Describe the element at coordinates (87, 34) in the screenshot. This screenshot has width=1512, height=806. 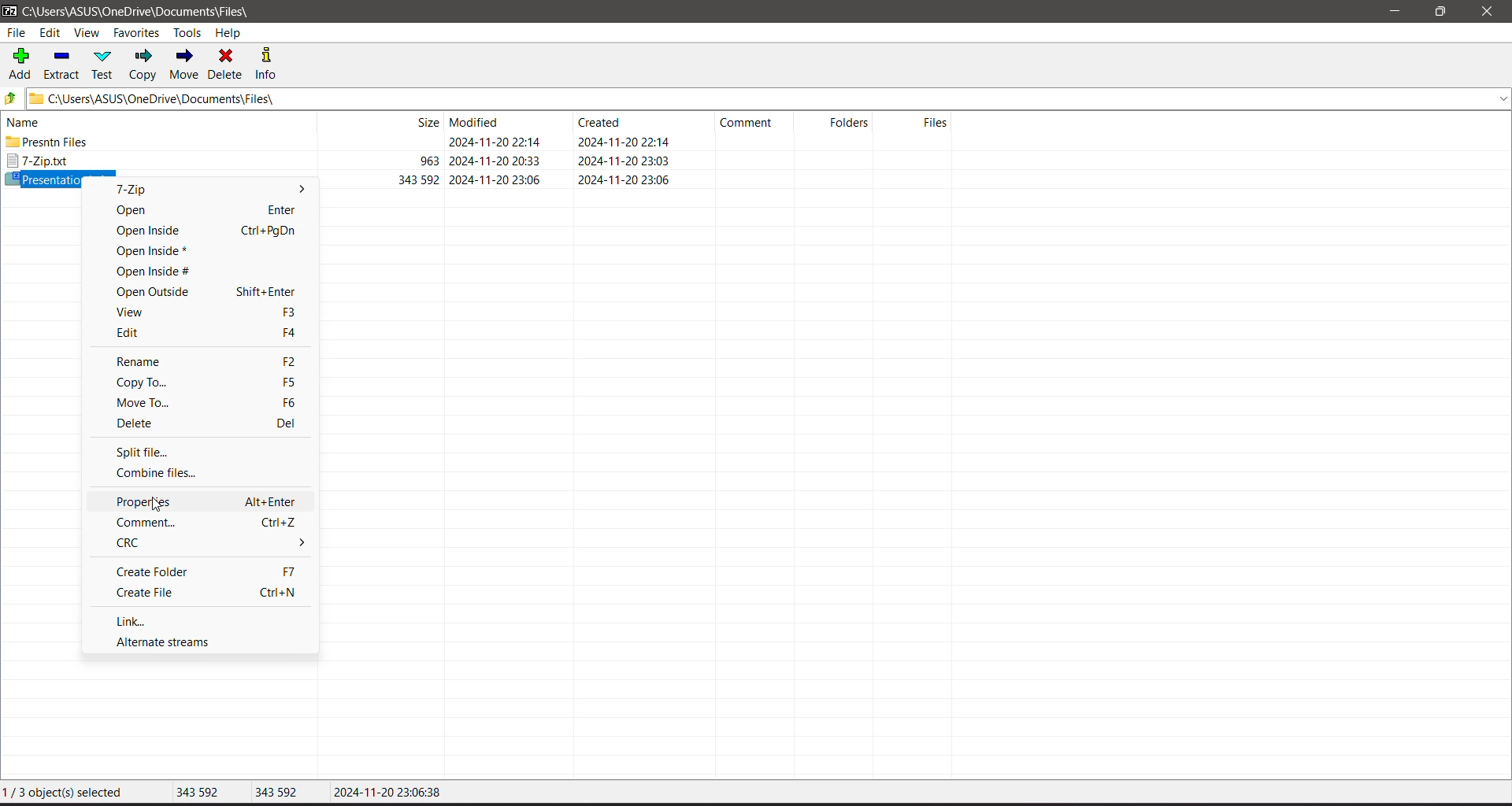
I see `View` at that location.